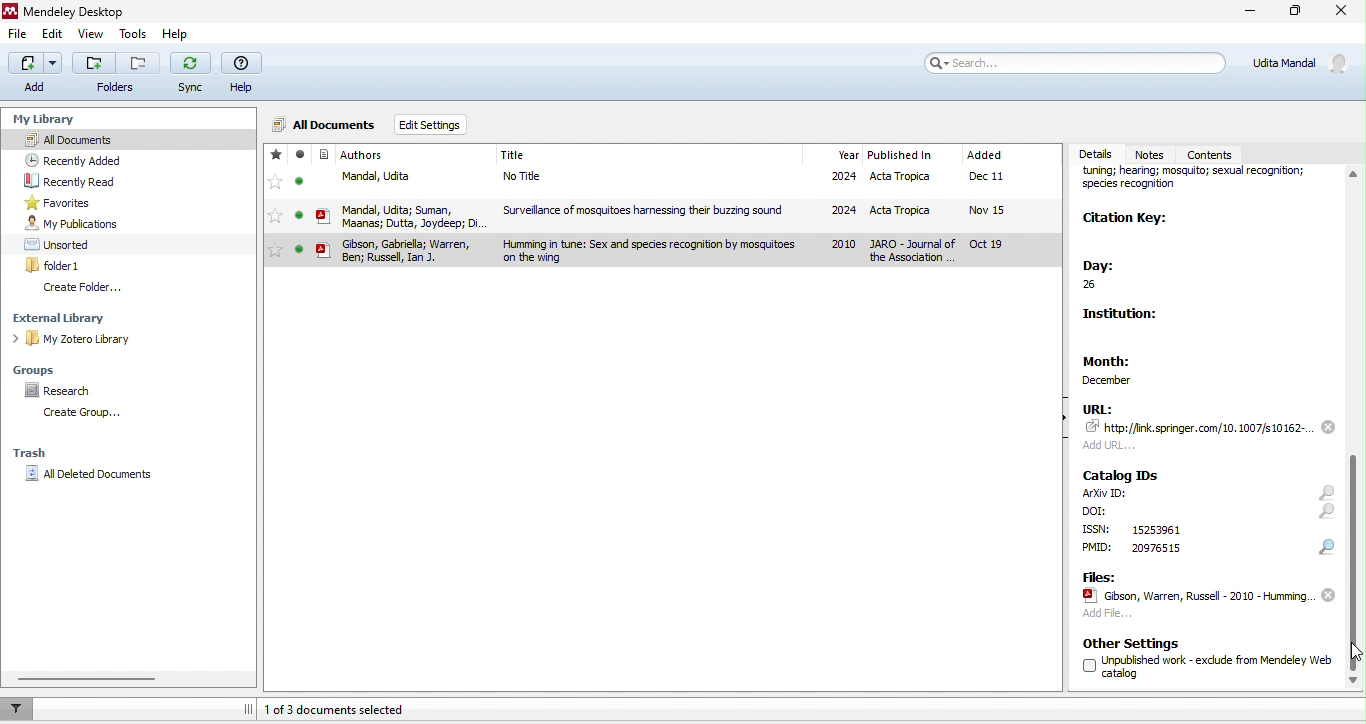 The height and width of the screenshot is (724, 1366). I want to click on url, so click(1098, 408).